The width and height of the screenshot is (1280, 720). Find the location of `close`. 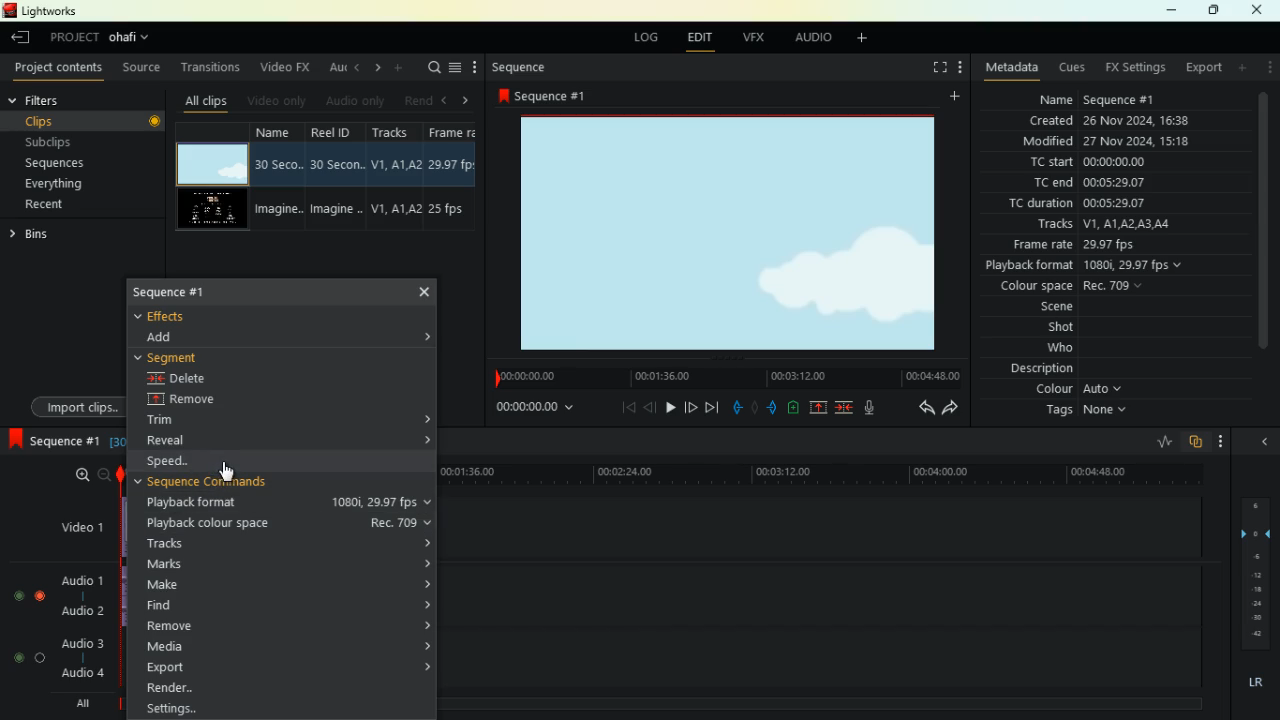

close is located at coordinates (1265, 440).